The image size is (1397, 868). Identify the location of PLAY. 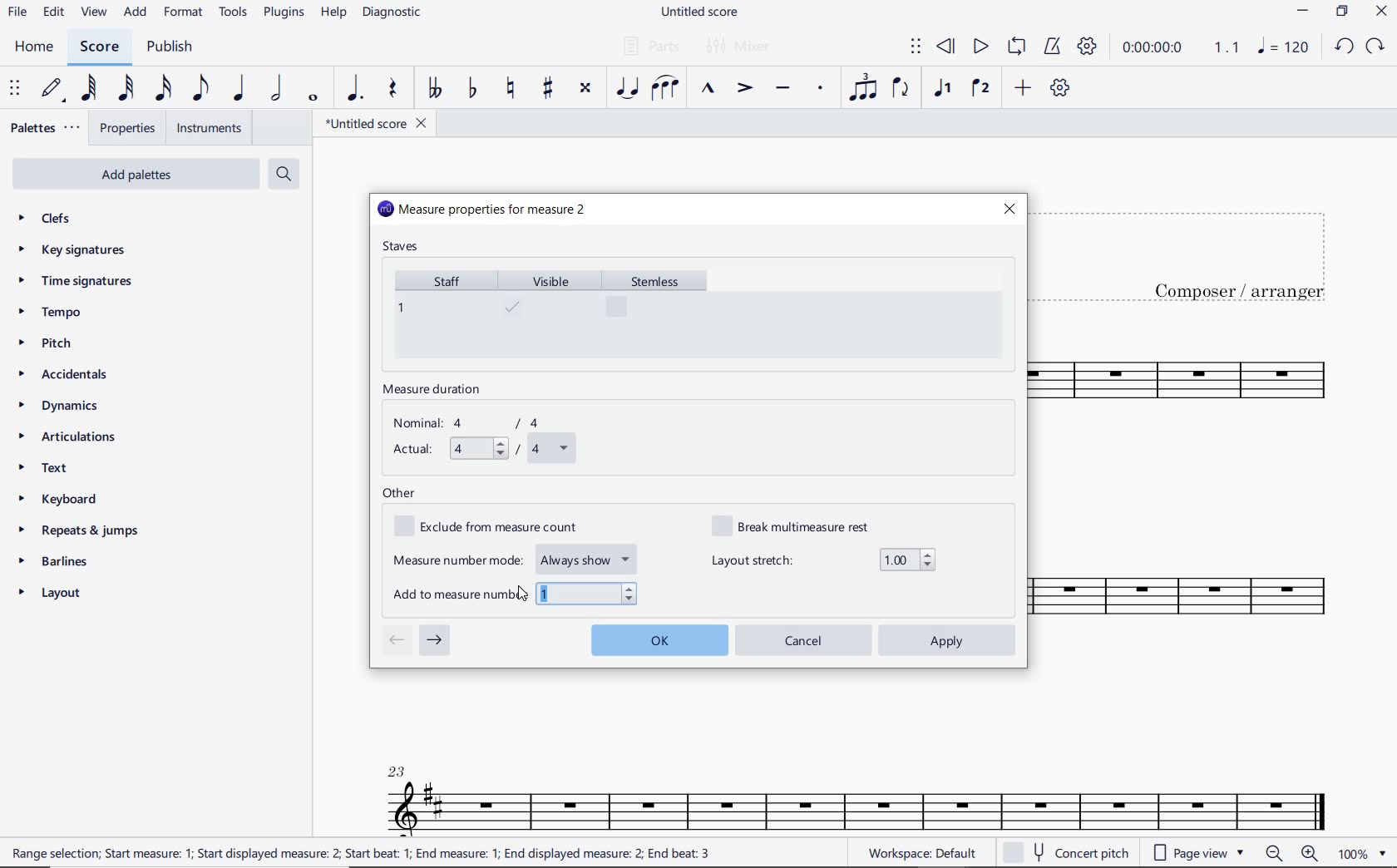
(979, 47).